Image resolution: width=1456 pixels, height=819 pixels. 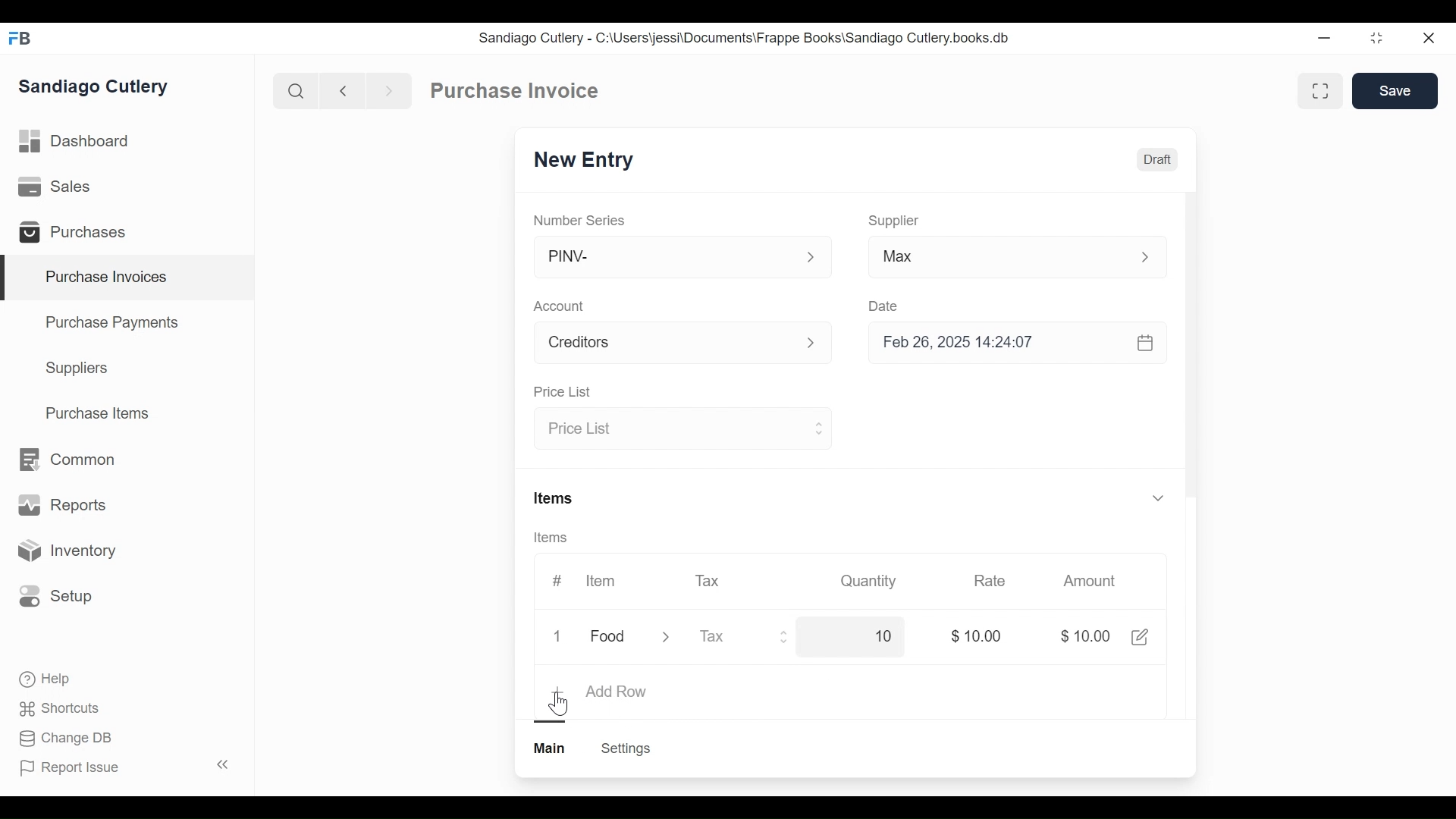 What do you see at coordinates (785, 639) in the screenshot?
I see `Expand` at bounding box center [785, 639].